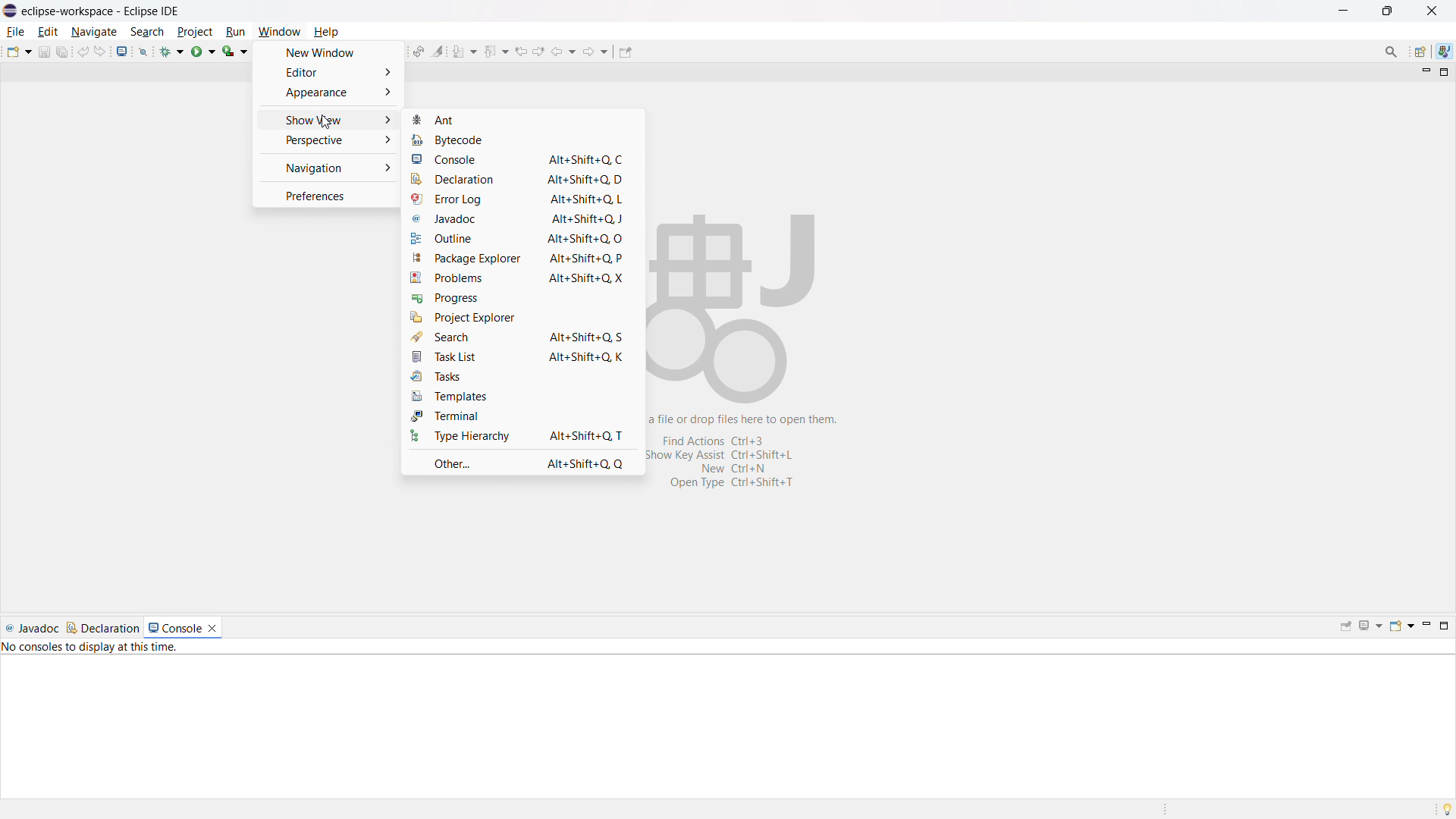 The height and width of the screenshot is (819, 1456). What do you see at coordinates (522, 356) in the screenshot?
I see `task list` at bounding box center [522, 356].